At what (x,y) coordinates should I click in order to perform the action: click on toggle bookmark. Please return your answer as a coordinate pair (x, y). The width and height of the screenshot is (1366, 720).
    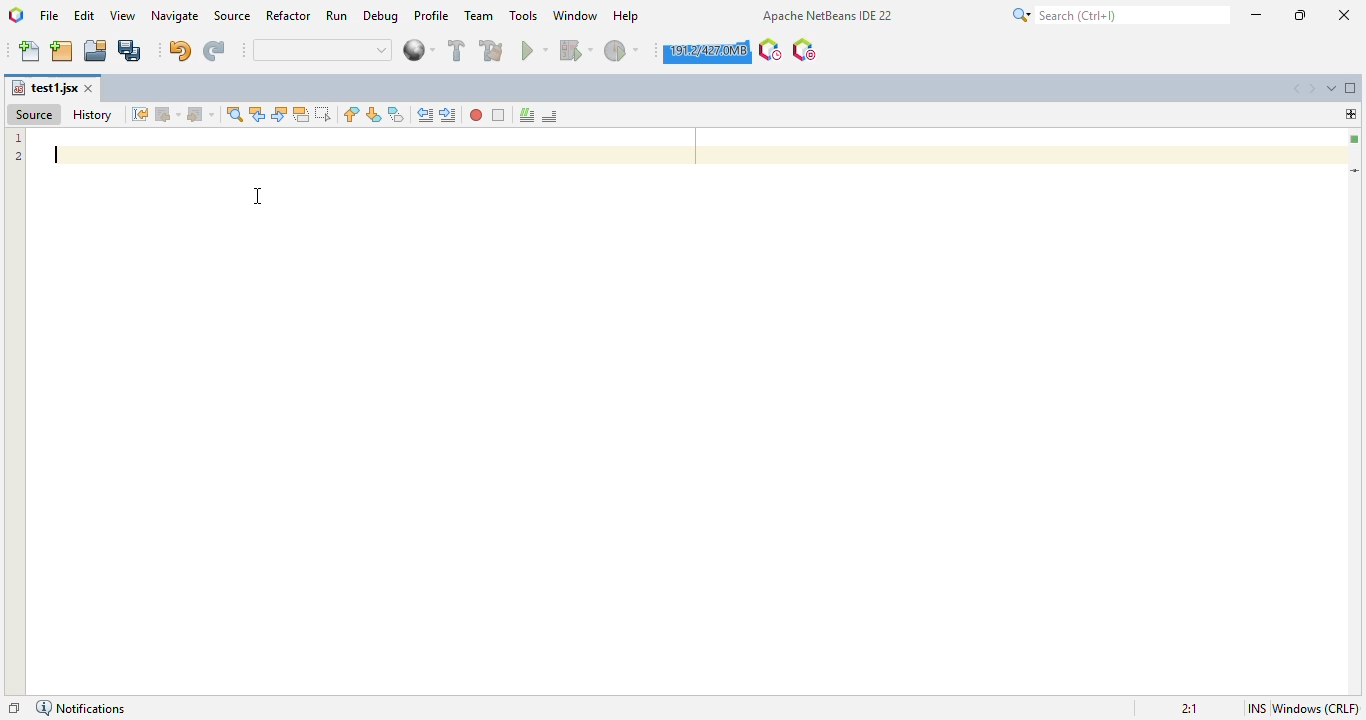
    Looking at the image, I should click on (397, 114).